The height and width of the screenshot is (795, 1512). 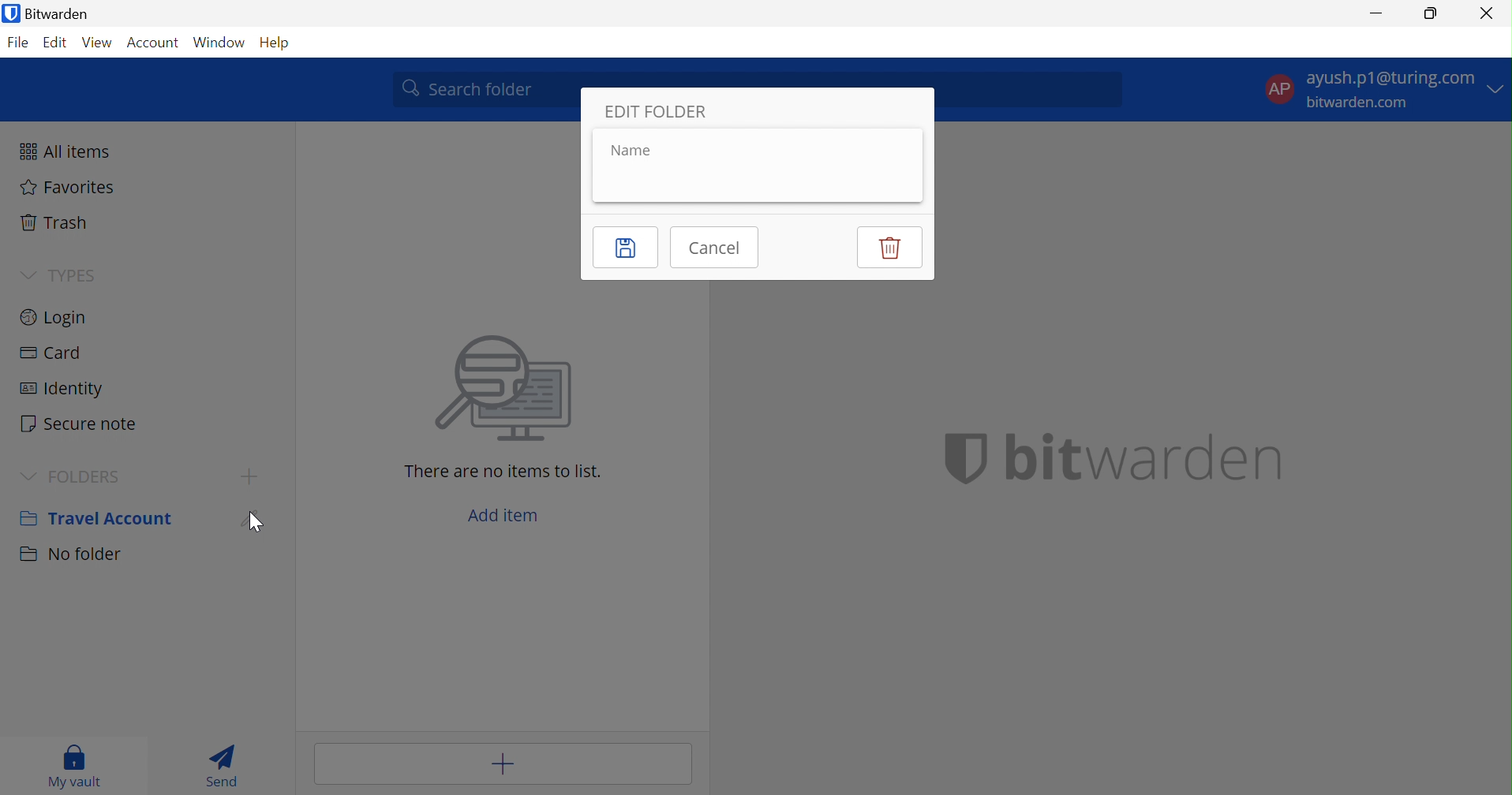 What do you see at coordinates (657, 110) in the screenshot?
I see `EDIT FOLDER` at bounding box center [657, 110].